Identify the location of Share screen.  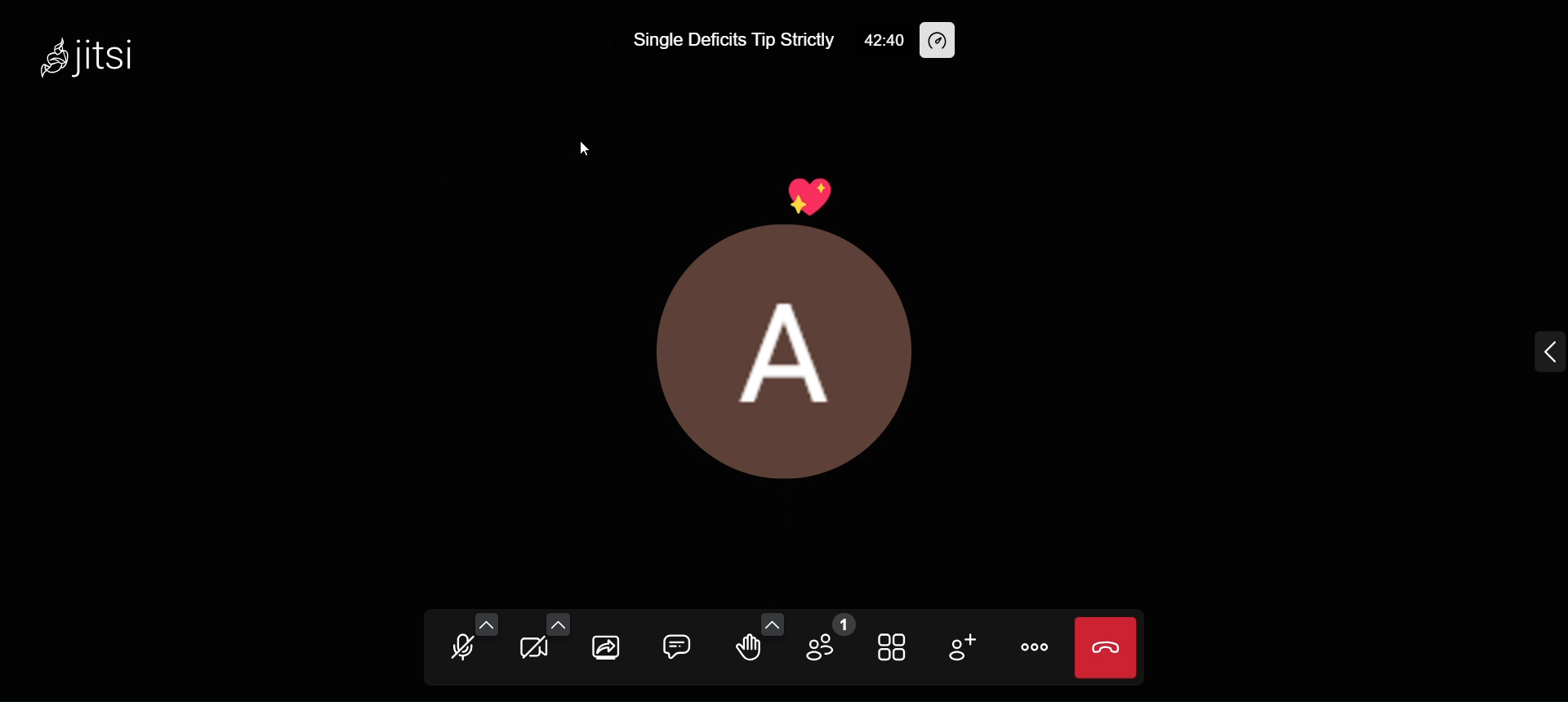
(604, 646).